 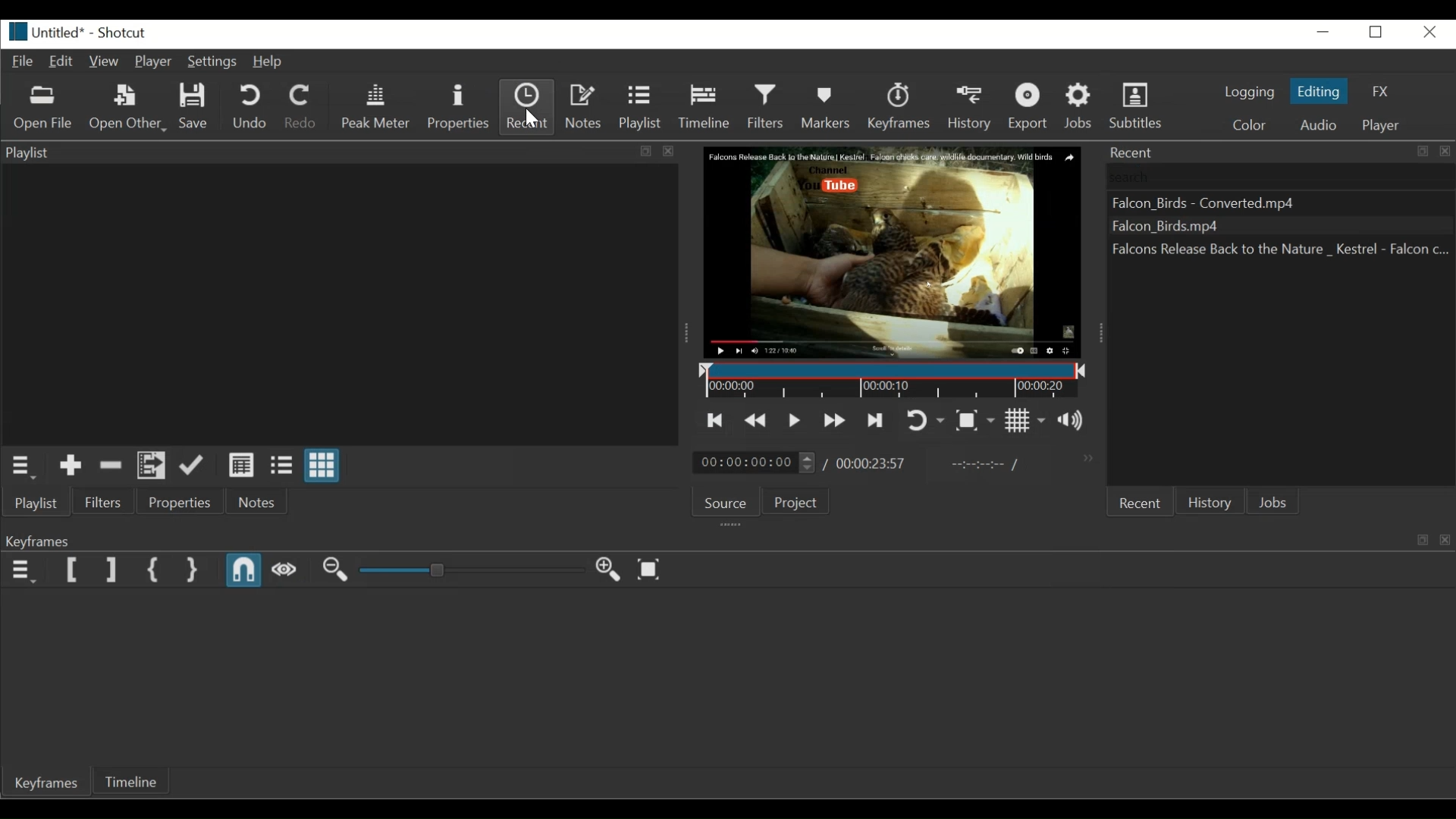 What do you see at coordinates (988, 463) in the screenshot?
I see `In point` at bounding box center [988, 463].